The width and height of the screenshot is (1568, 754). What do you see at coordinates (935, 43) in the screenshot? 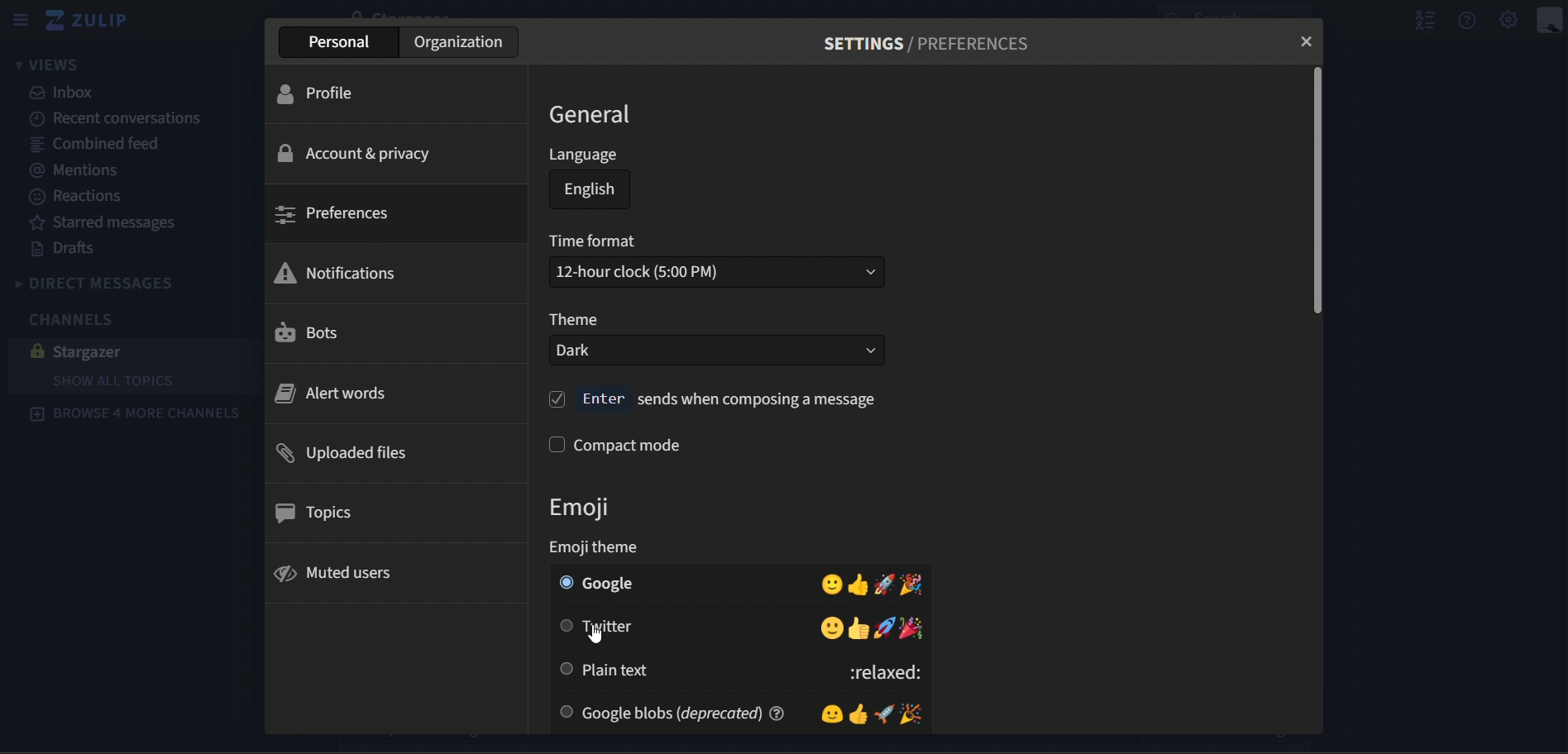
I see `settings/preferences` at bounding box center [935, 43].